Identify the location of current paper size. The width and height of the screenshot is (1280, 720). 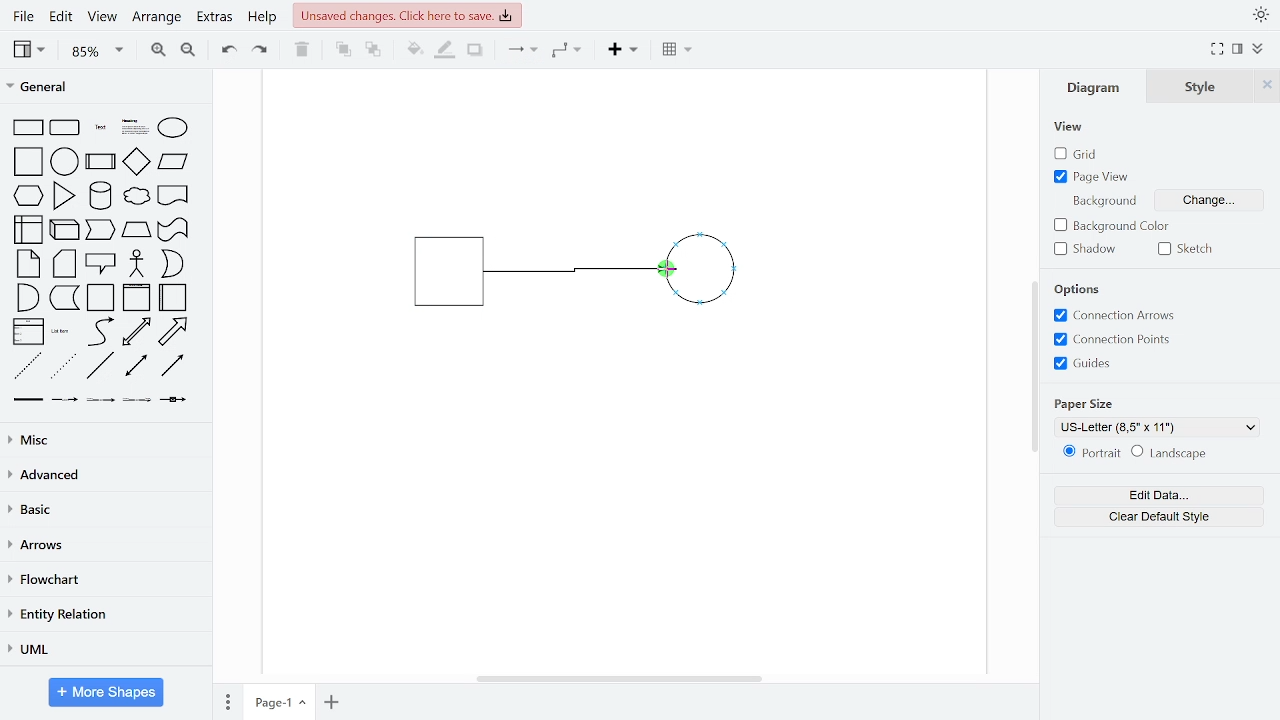
(1158, 427).